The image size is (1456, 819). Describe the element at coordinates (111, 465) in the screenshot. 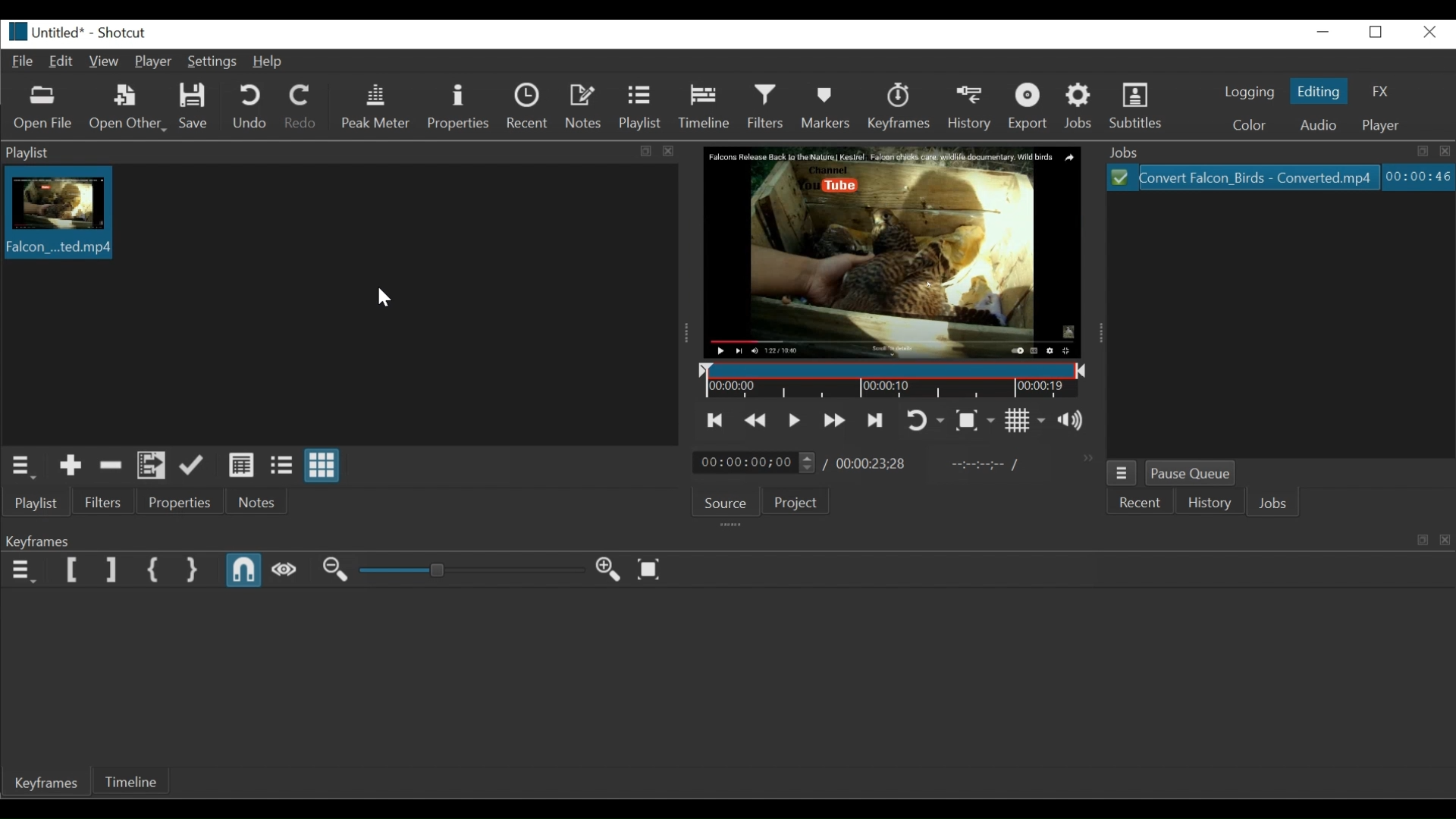

I see `Remove cut` at that location.